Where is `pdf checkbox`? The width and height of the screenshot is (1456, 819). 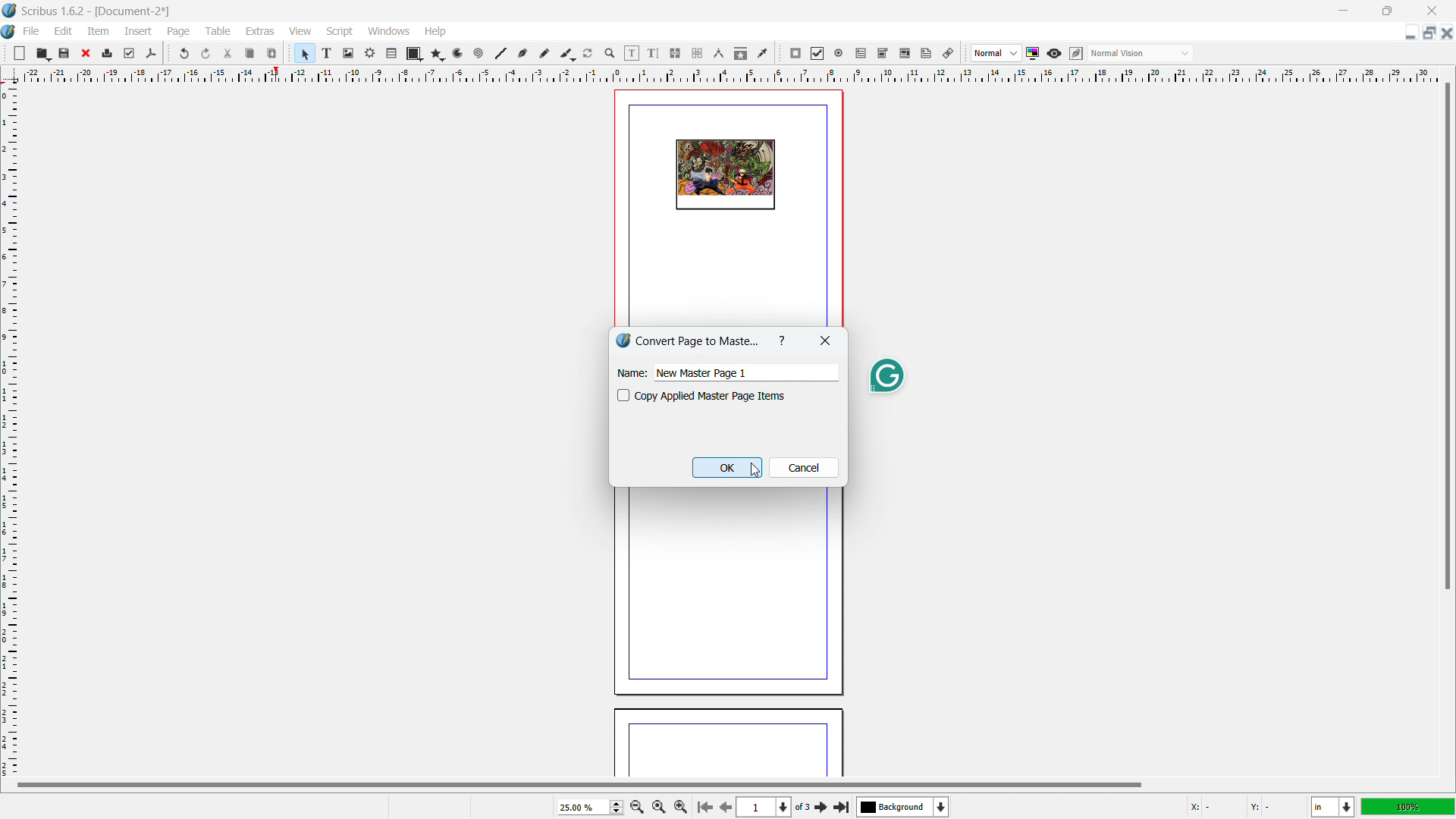
pdf checkbox is located at coordinates (817, 53).